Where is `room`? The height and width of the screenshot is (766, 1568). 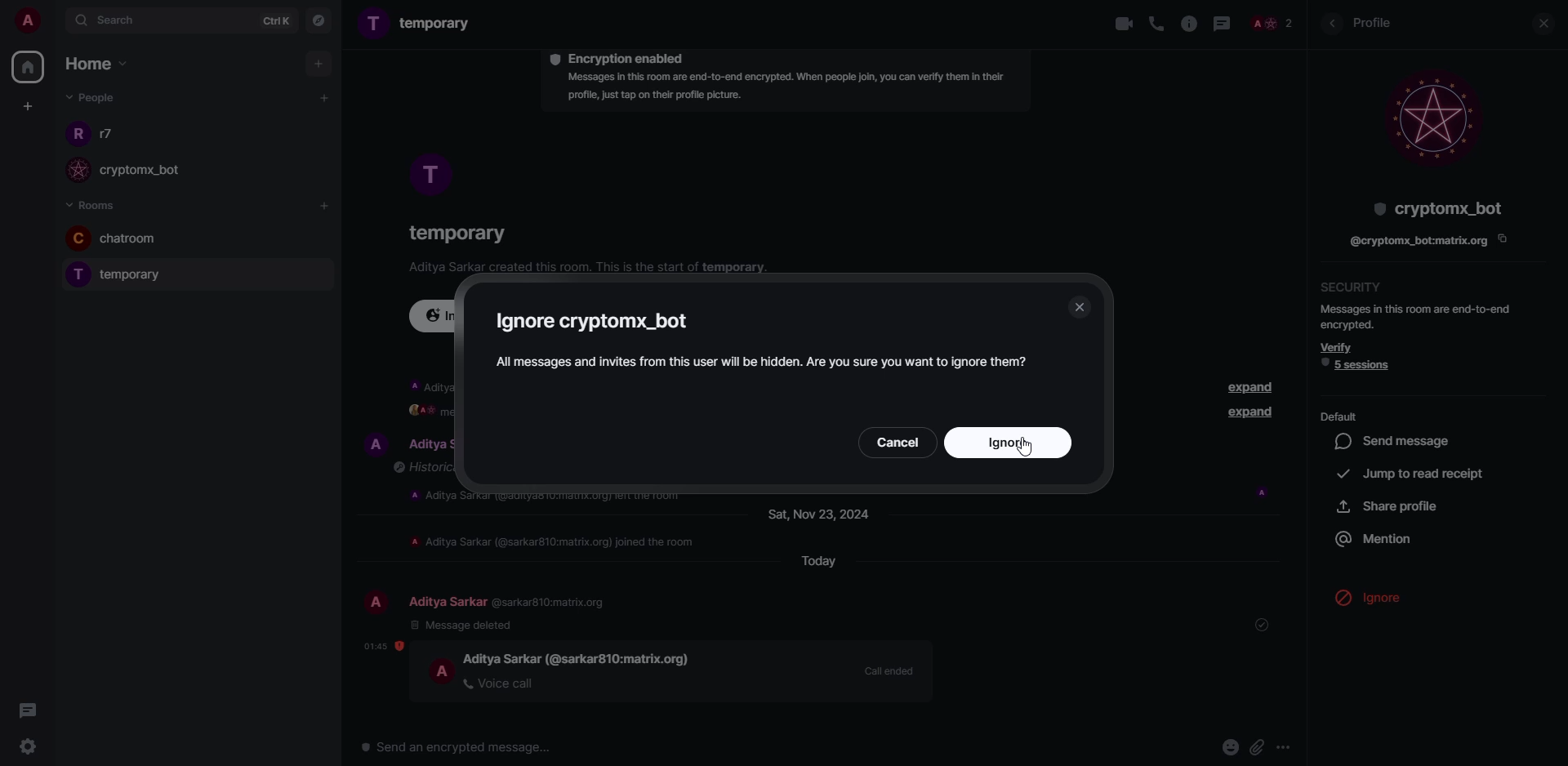 room is located at coordinates (145, 240).